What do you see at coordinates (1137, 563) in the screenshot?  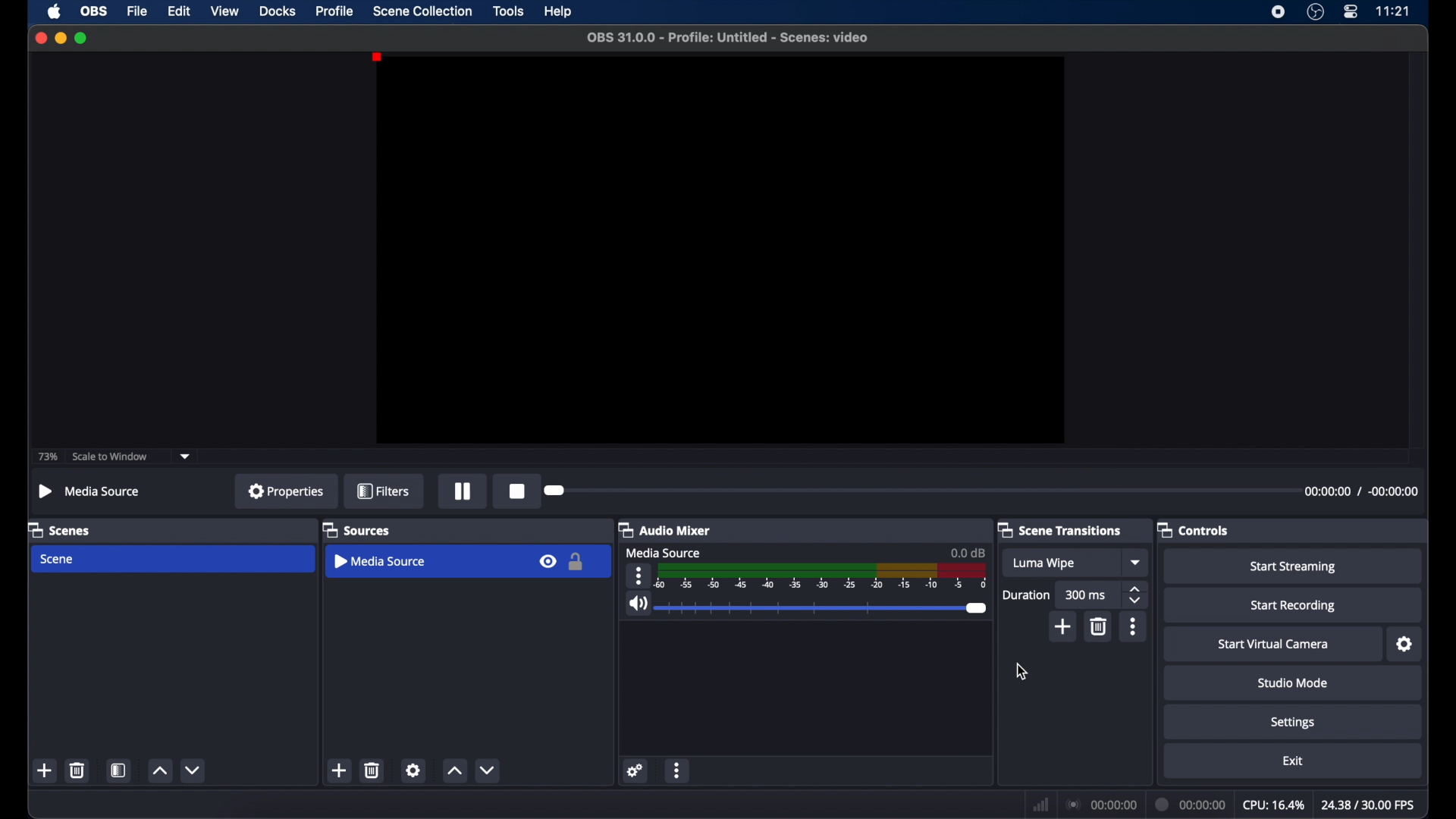 I see `dropdown` at bounding box center [1137, 563].